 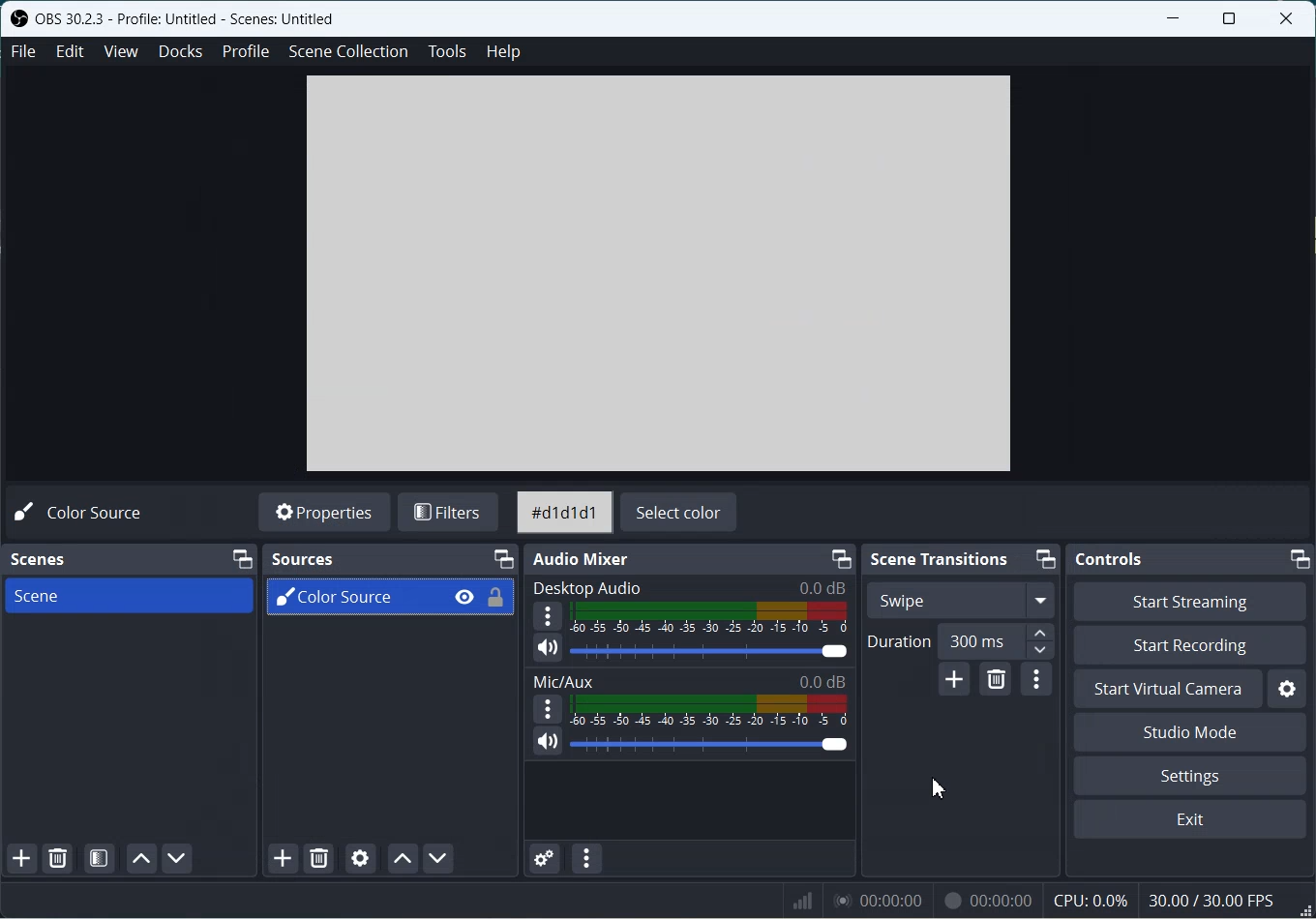 I want to click on Settings, so click(x=1188, y=775).